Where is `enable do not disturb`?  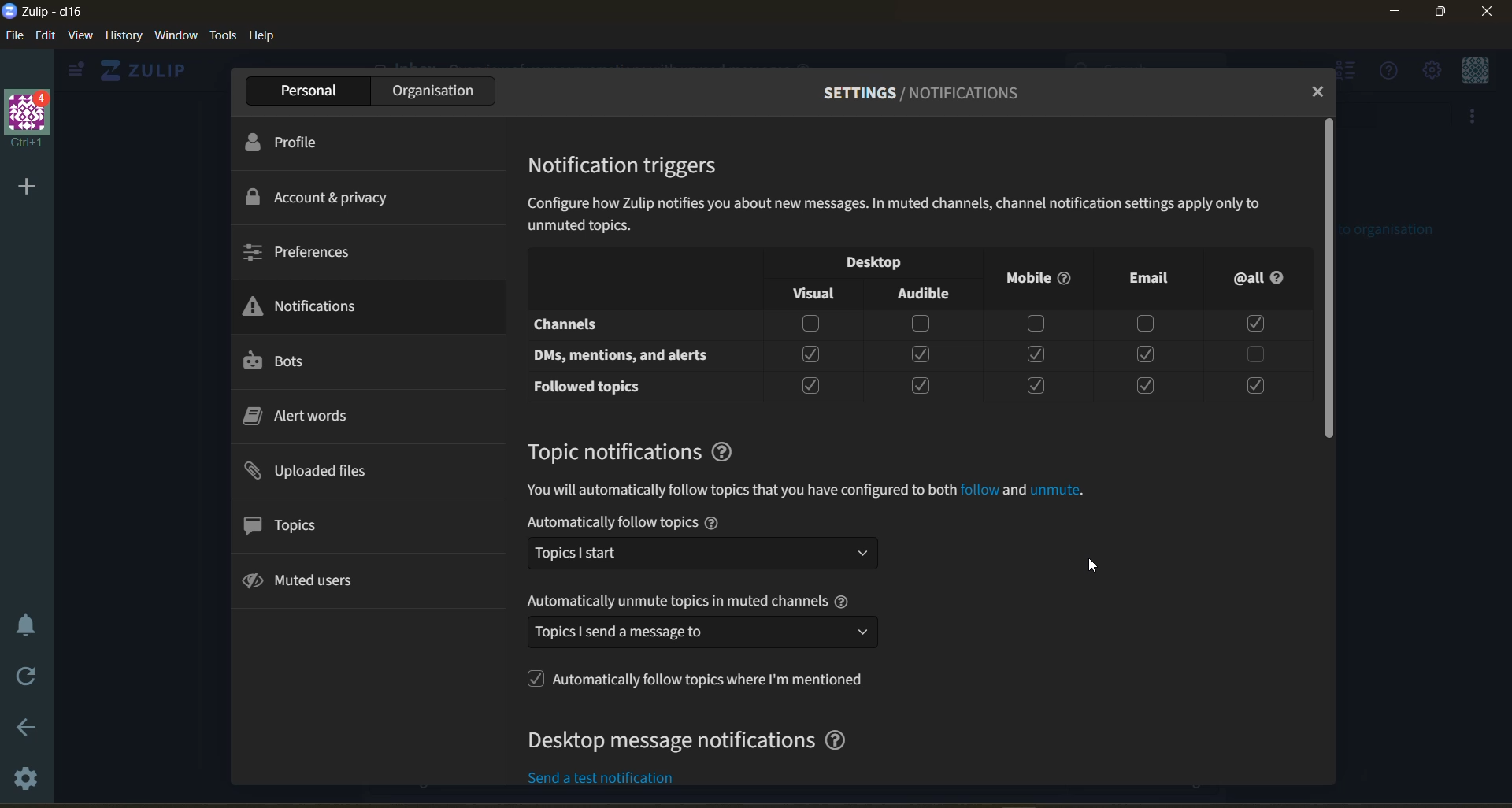 enable do not disturb is located at coordinates (28, 625).